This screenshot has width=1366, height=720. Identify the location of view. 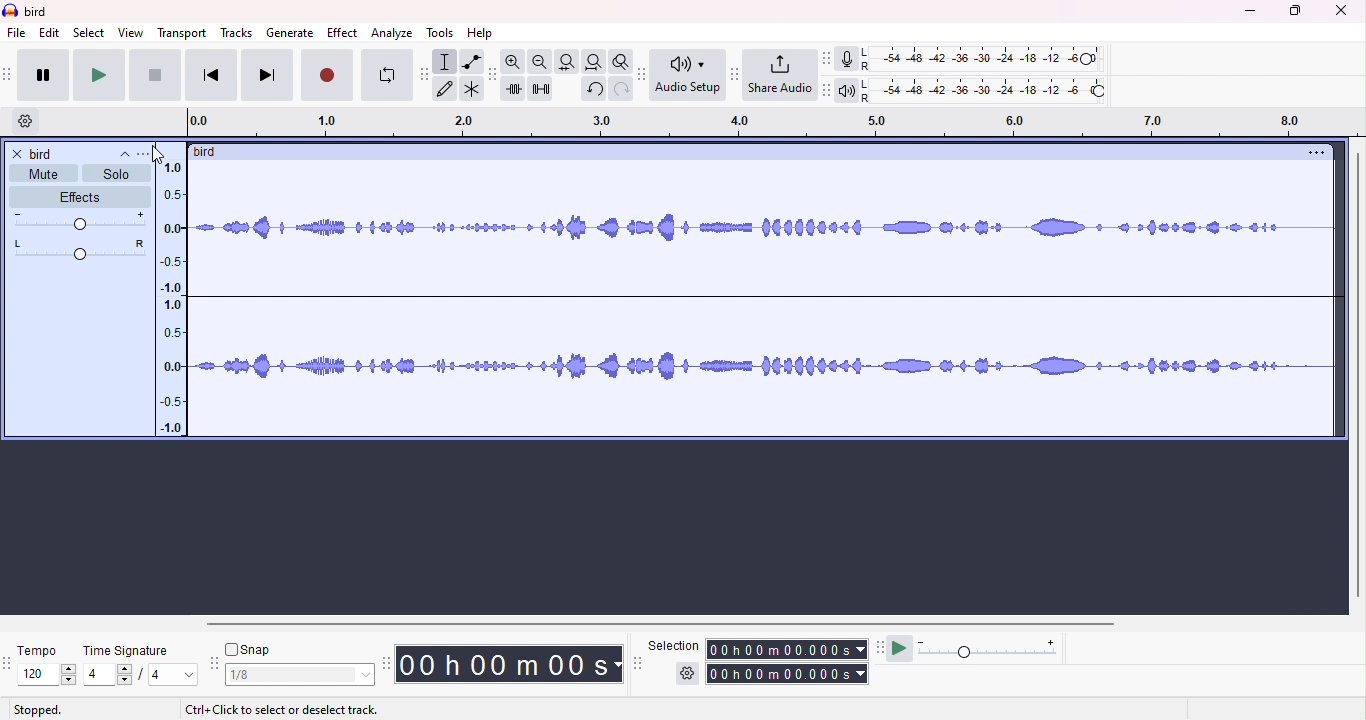
(130, 33).